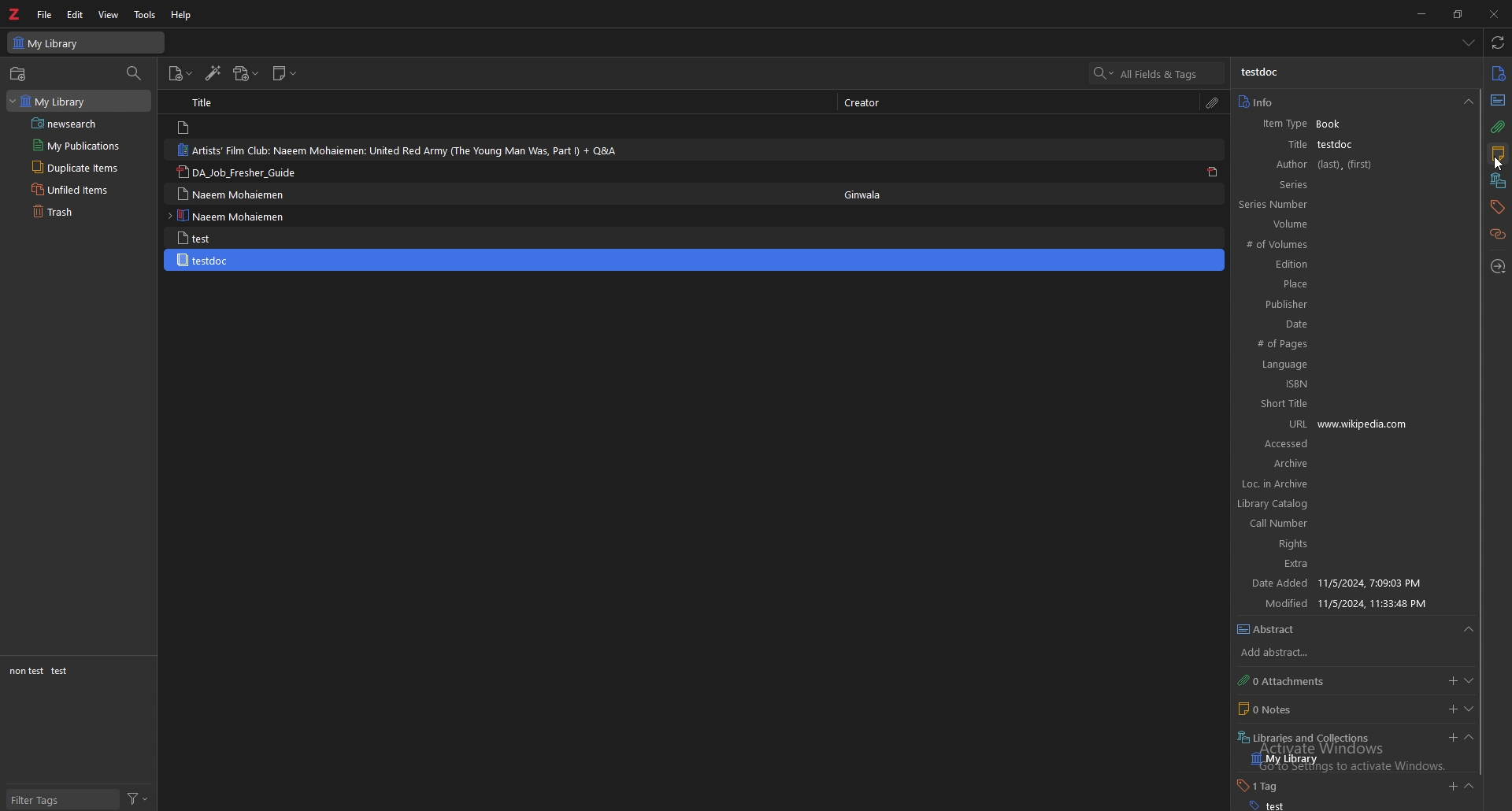  What do you see at coordinates (1269, 786) in the screenshot?
I see `1 tag` at bounding box center [1269, 786].